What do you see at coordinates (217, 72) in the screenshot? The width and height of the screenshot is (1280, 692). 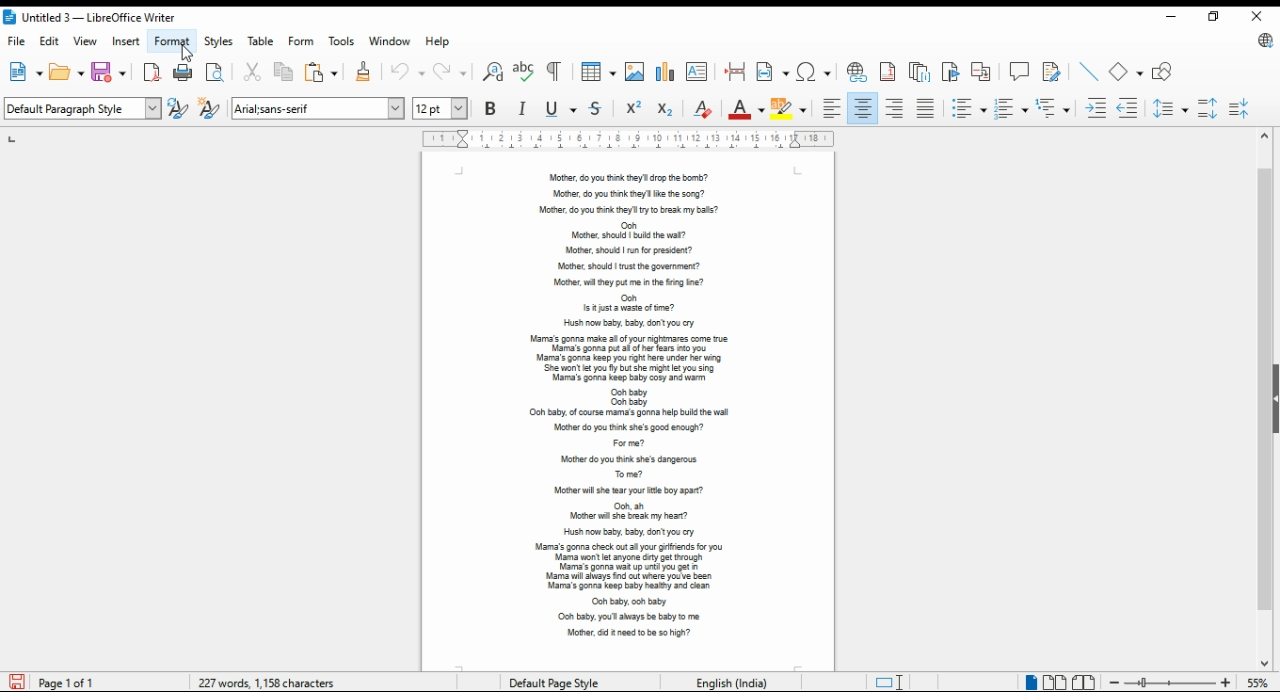 I see `toggle print preview` at bounding box center [217, 72].